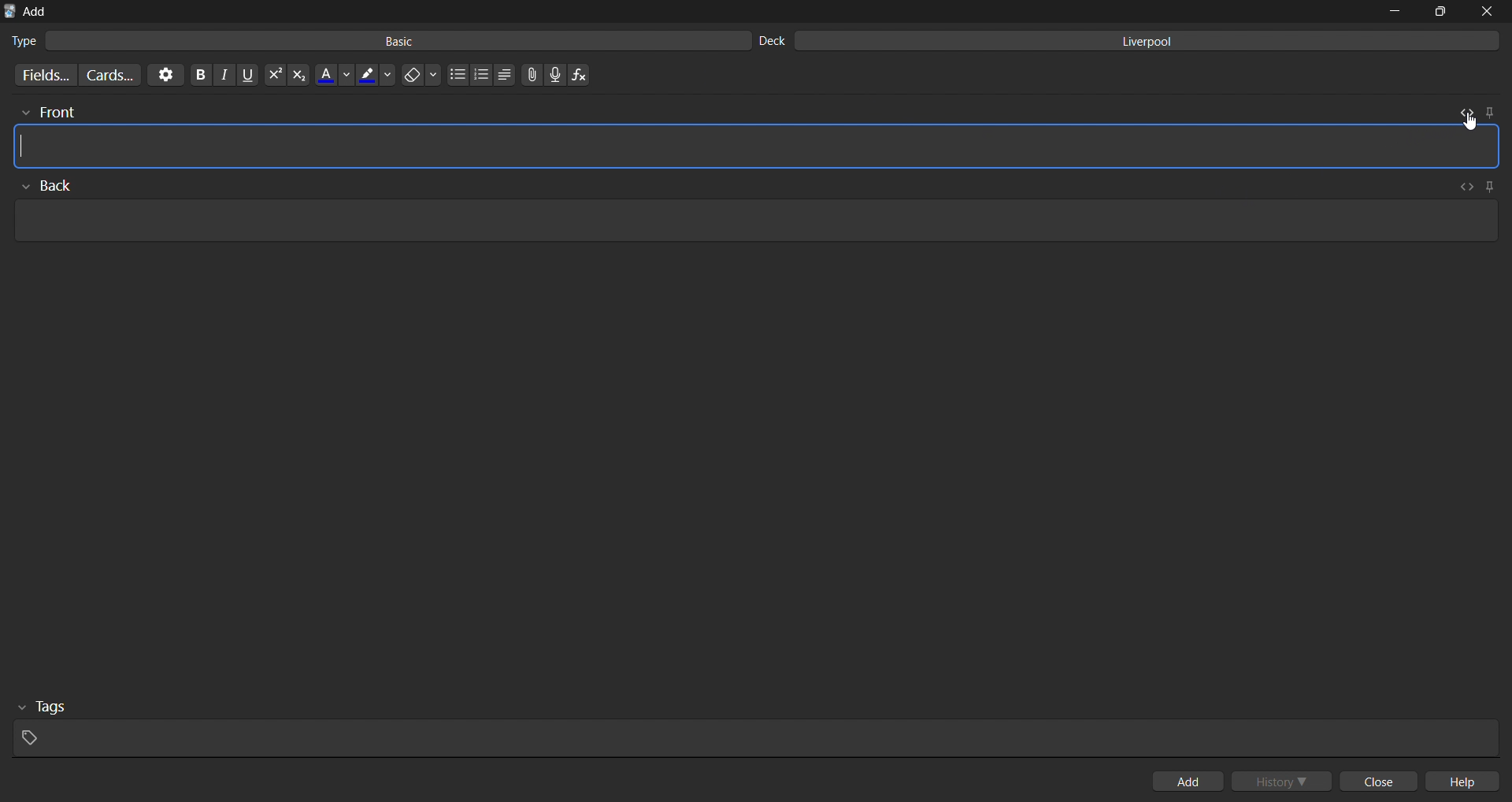 Image resolution: width=1512 pixels, height=802 pixels. What do you see at coordinates (273, 76) in the screenshot?
I see `superscript` at bounding box center [273, 76].